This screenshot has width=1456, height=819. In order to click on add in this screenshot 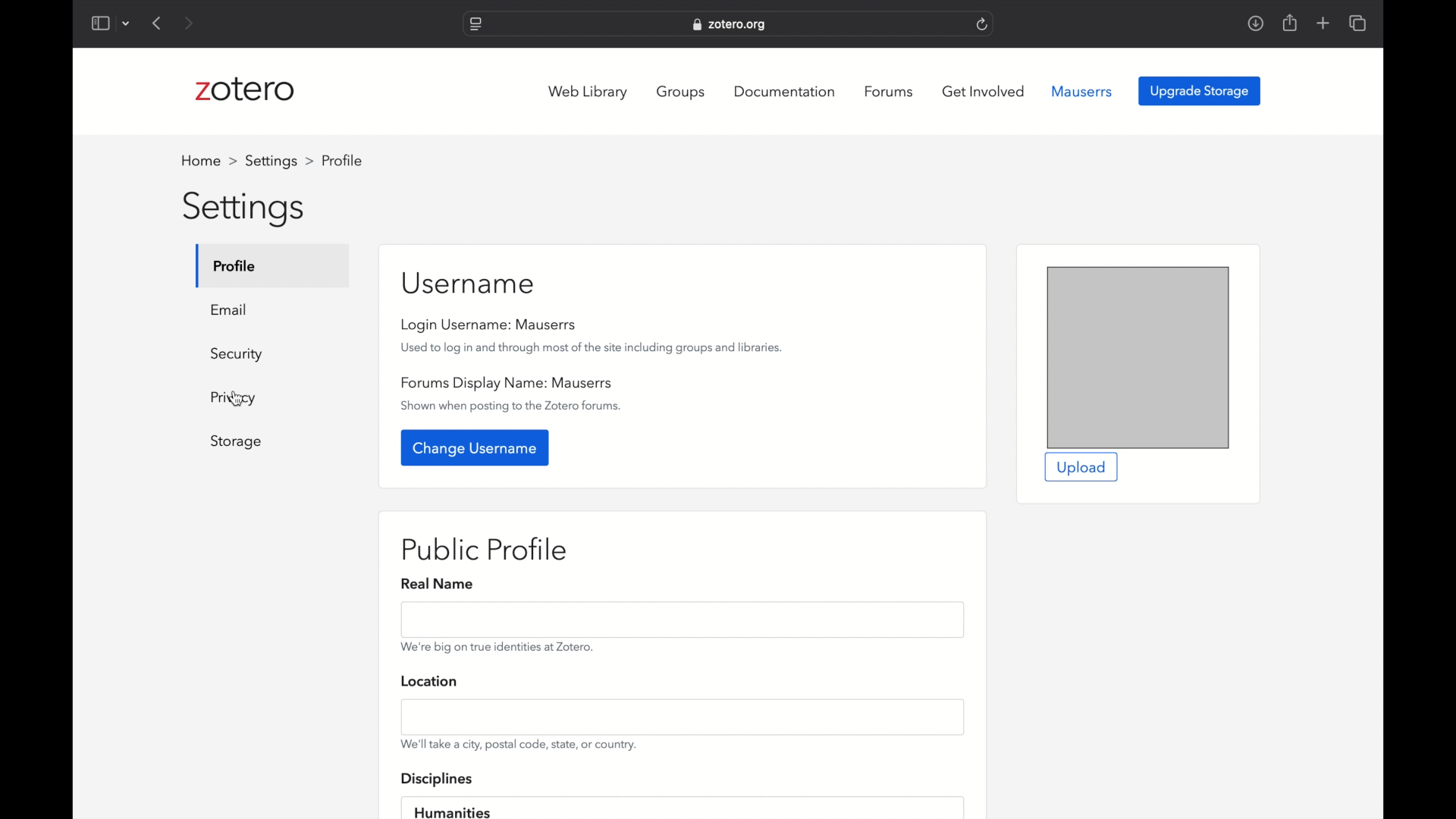, I will do `click(1323, 23)`.